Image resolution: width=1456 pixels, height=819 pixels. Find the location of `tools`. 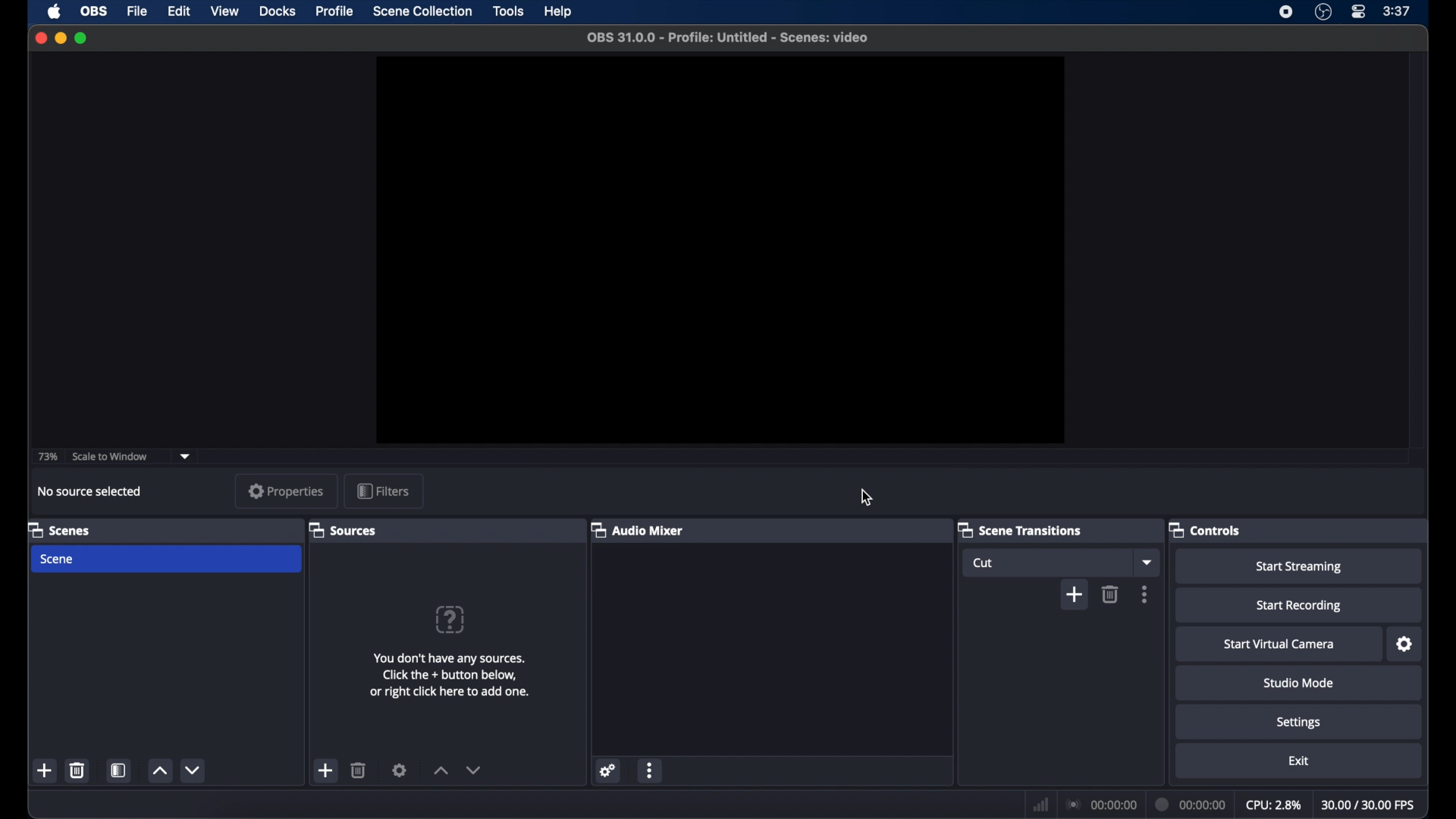

tools is located at coordinates (508, 11).